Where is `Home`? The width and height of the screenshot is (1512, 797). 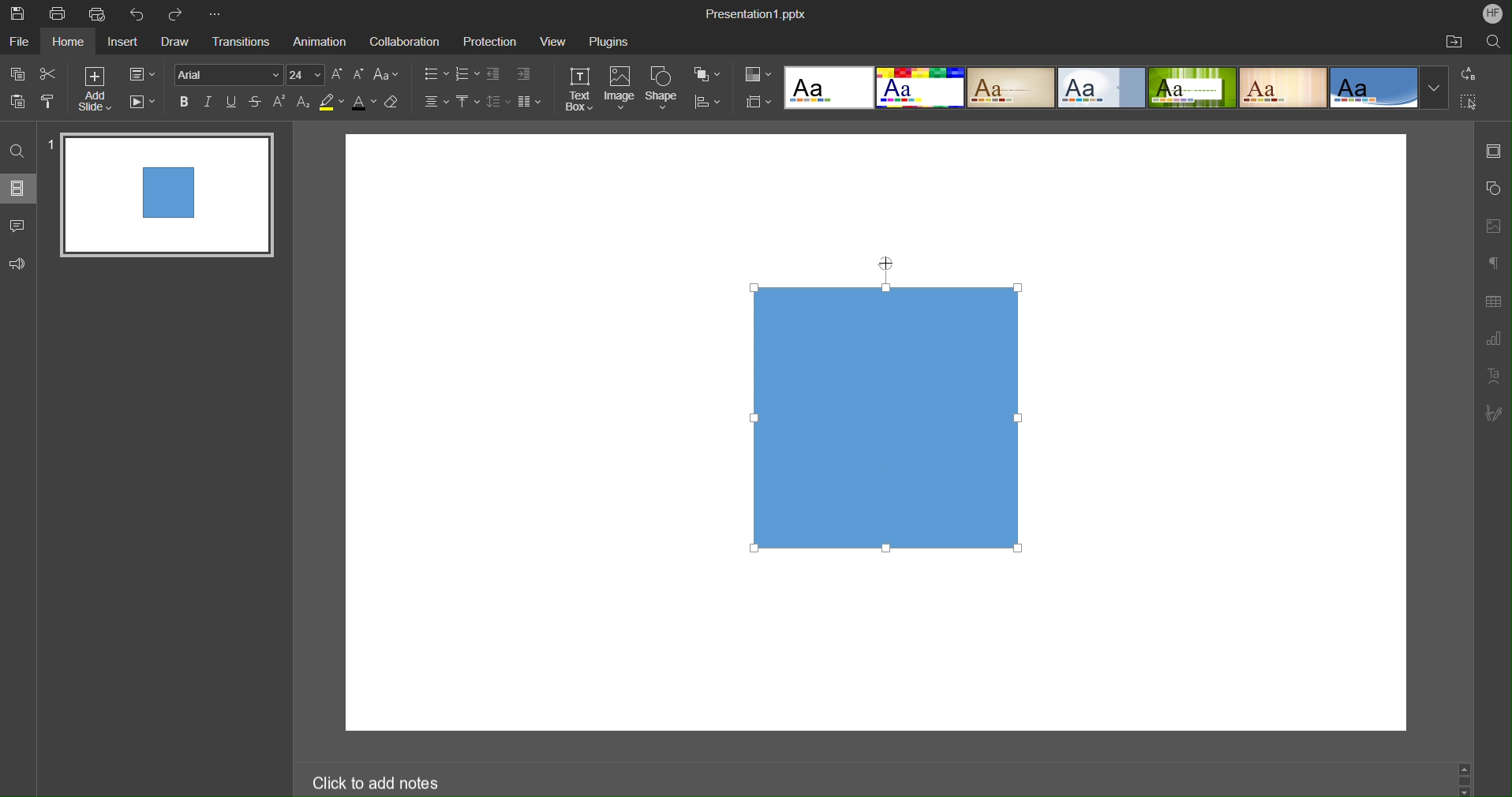 Home is located at coordinates (69, 41).